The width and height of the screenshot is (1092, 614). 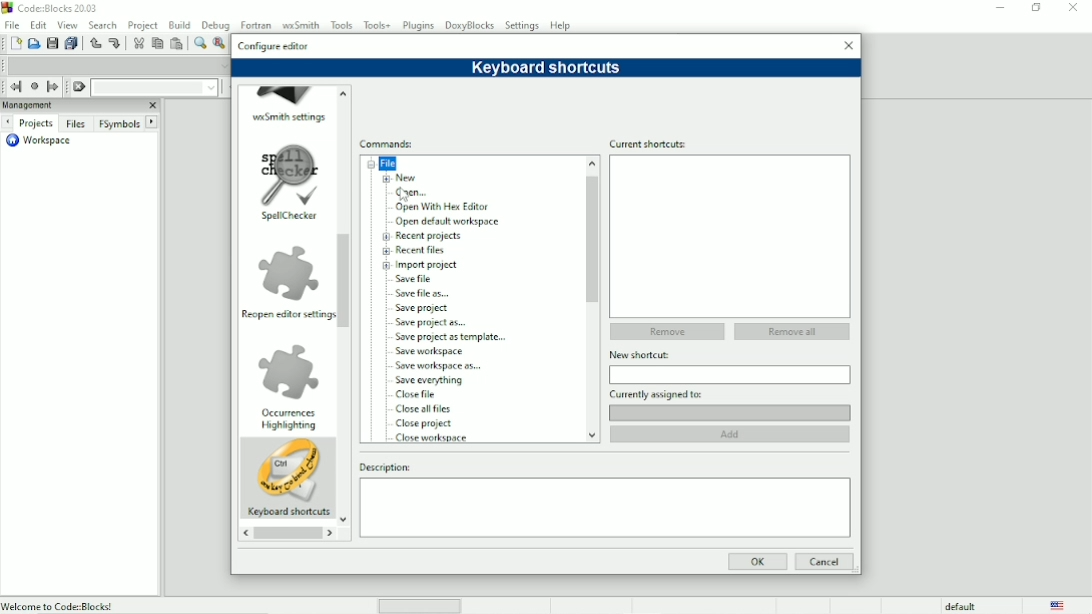 I want to click on Undo, so click(x=94, y=43).